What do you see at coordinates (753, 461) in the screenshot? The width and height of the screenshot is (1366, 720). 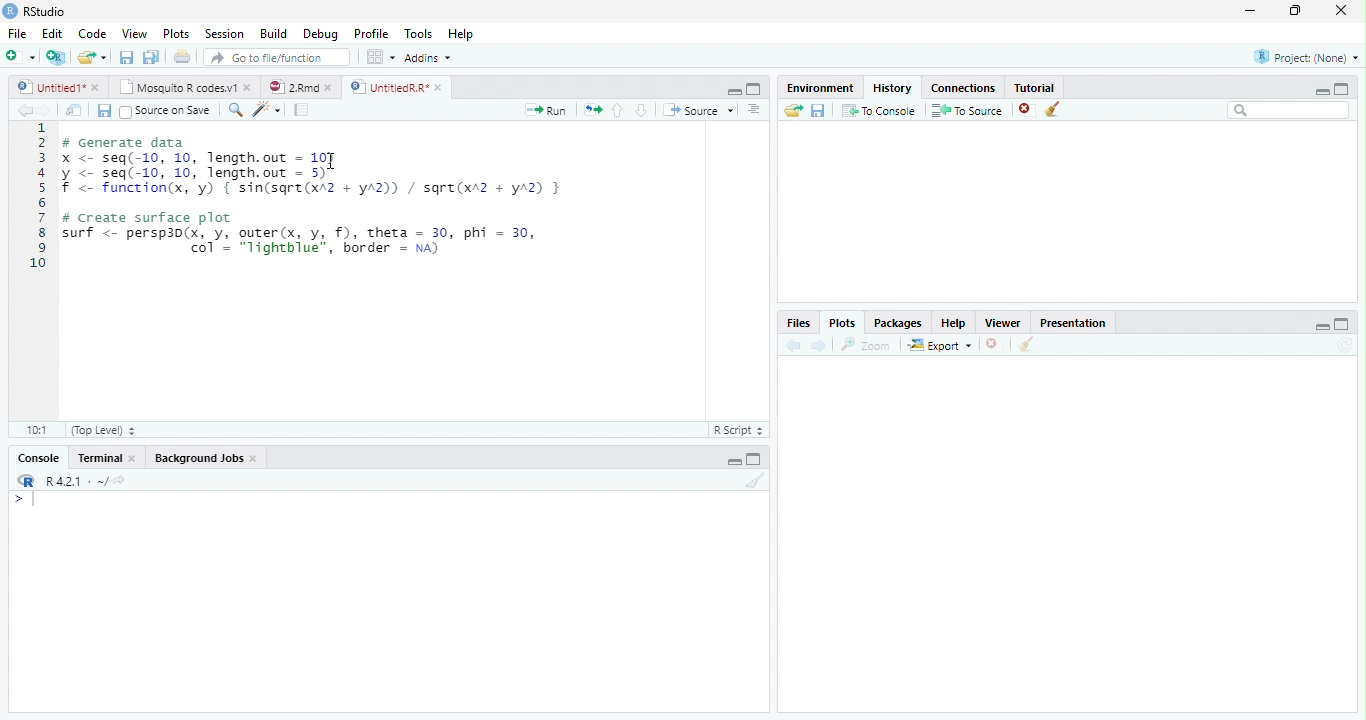 I see `Maximize` at bounding box center [753, 461].